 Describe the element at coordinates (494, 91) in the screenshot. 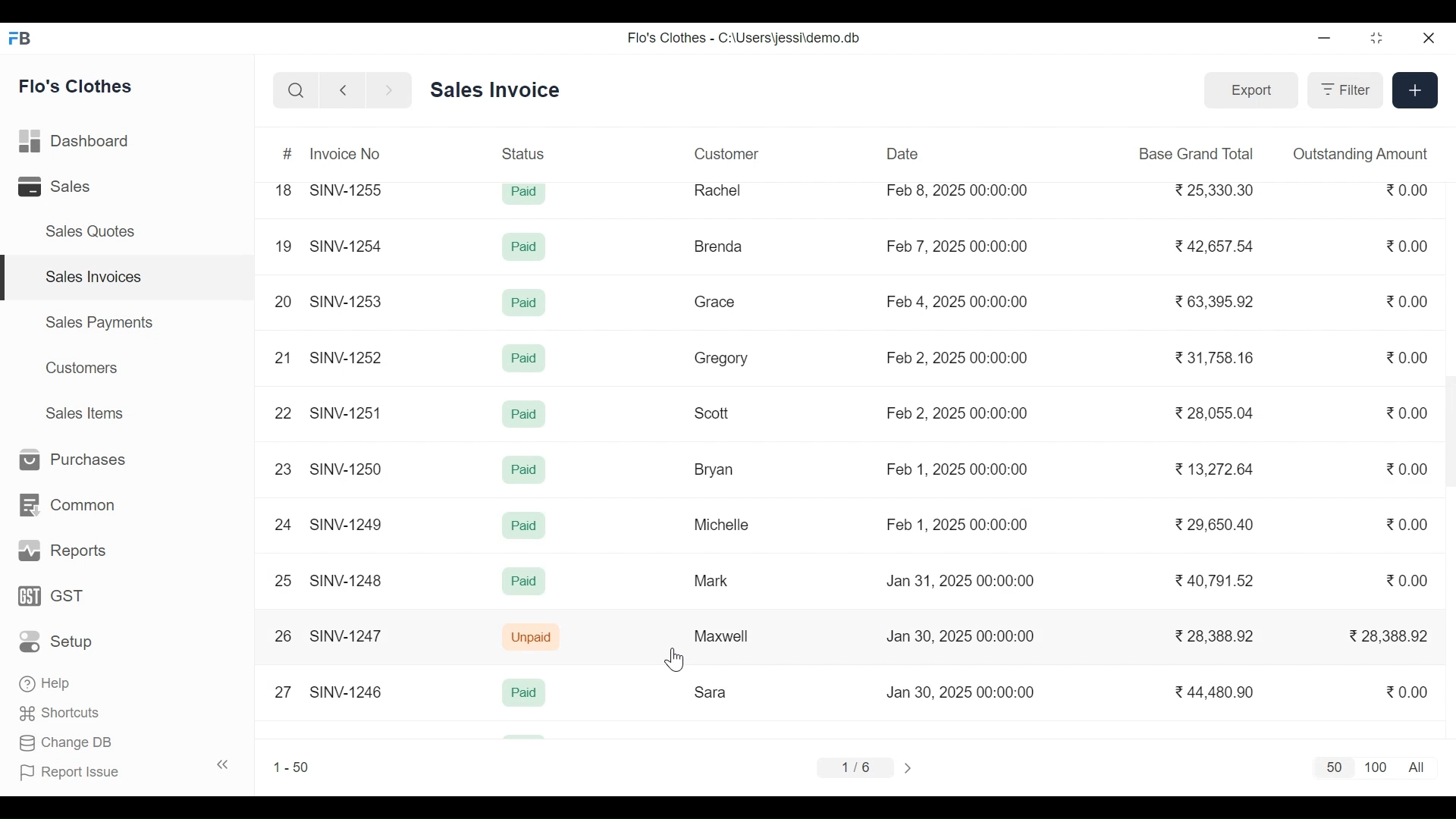

I see `Sales Invoice` at that location.